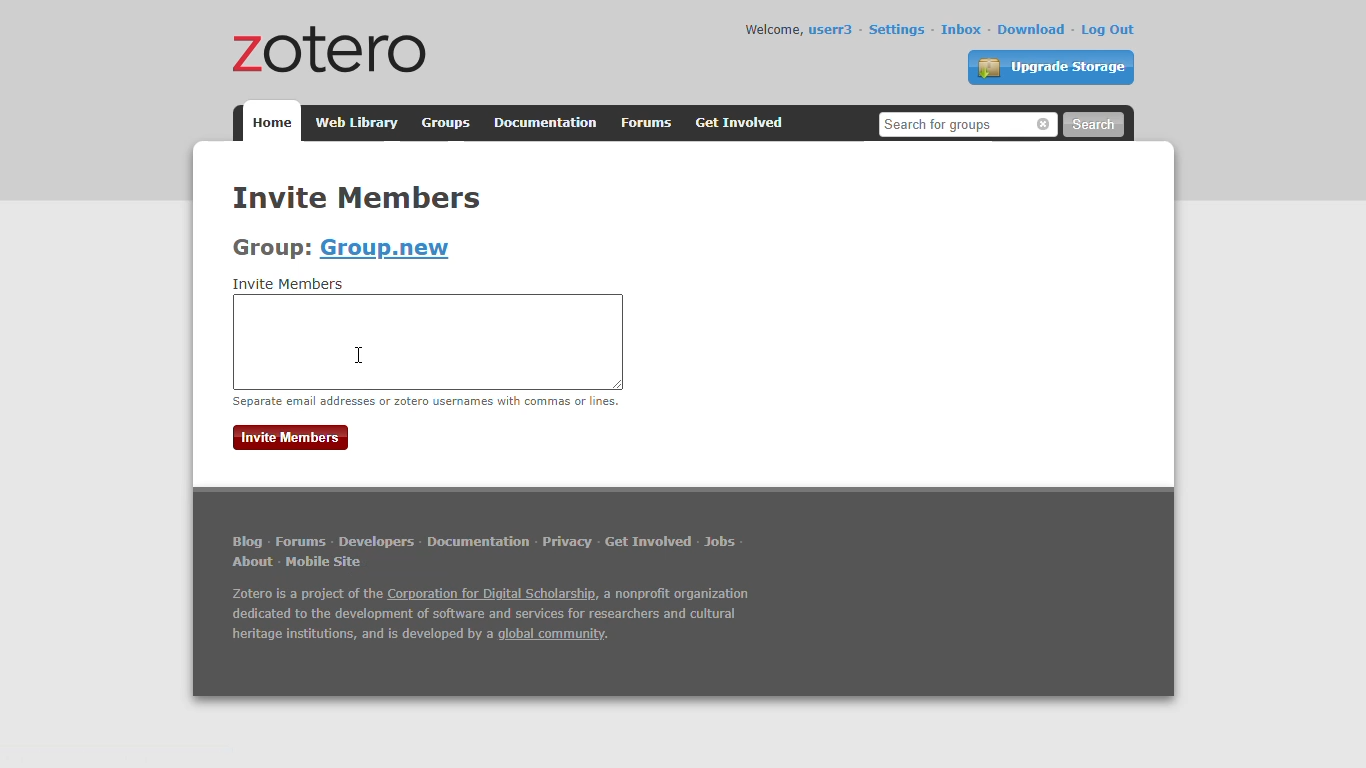  What do you see at coordinates (447, 123) in the screenshot?
I see `groups` at bounding box center [447, 123].